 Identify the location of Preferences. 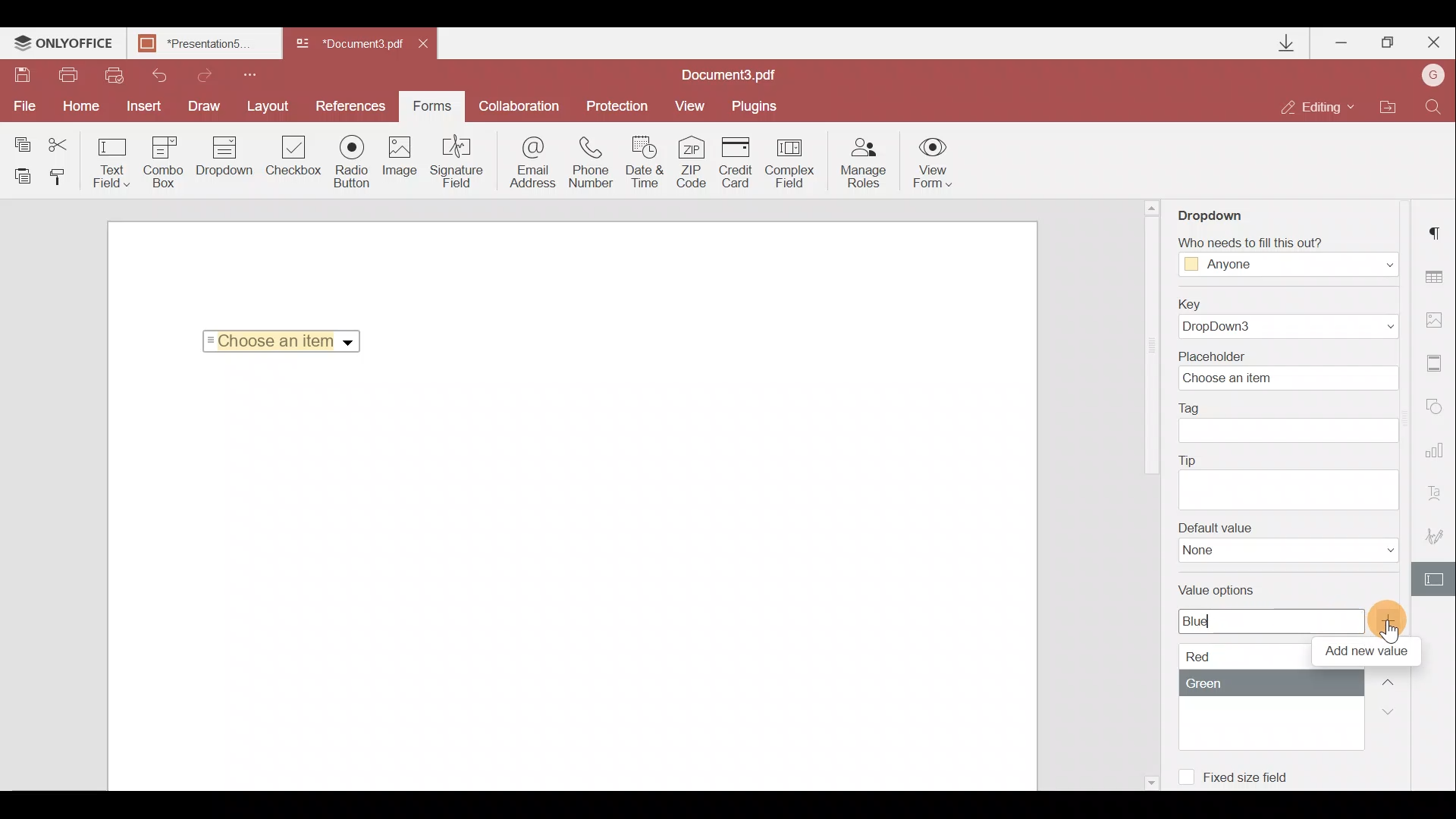
(352, 106).